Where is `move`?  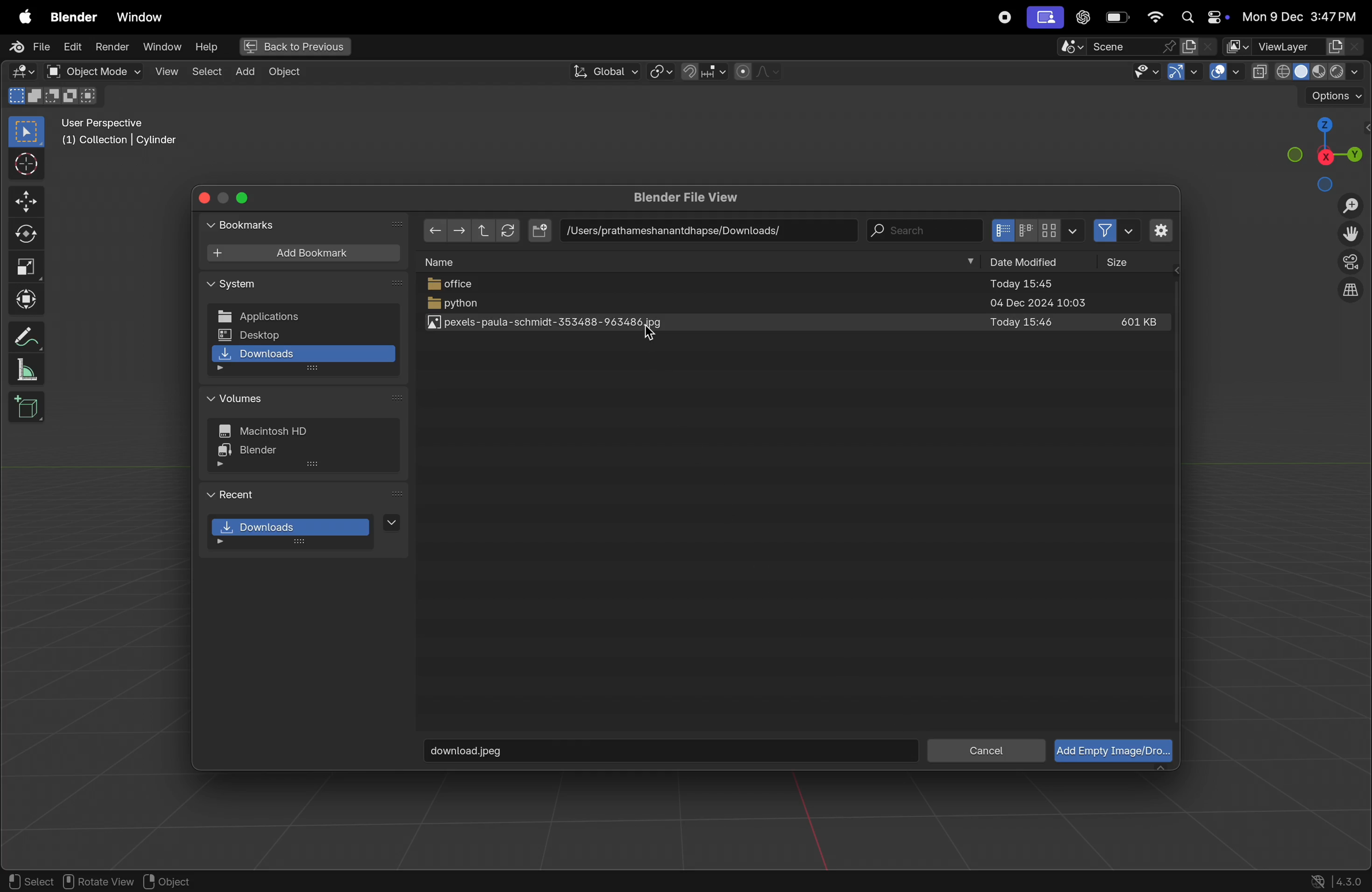
move is located at coordinates (24, 202).